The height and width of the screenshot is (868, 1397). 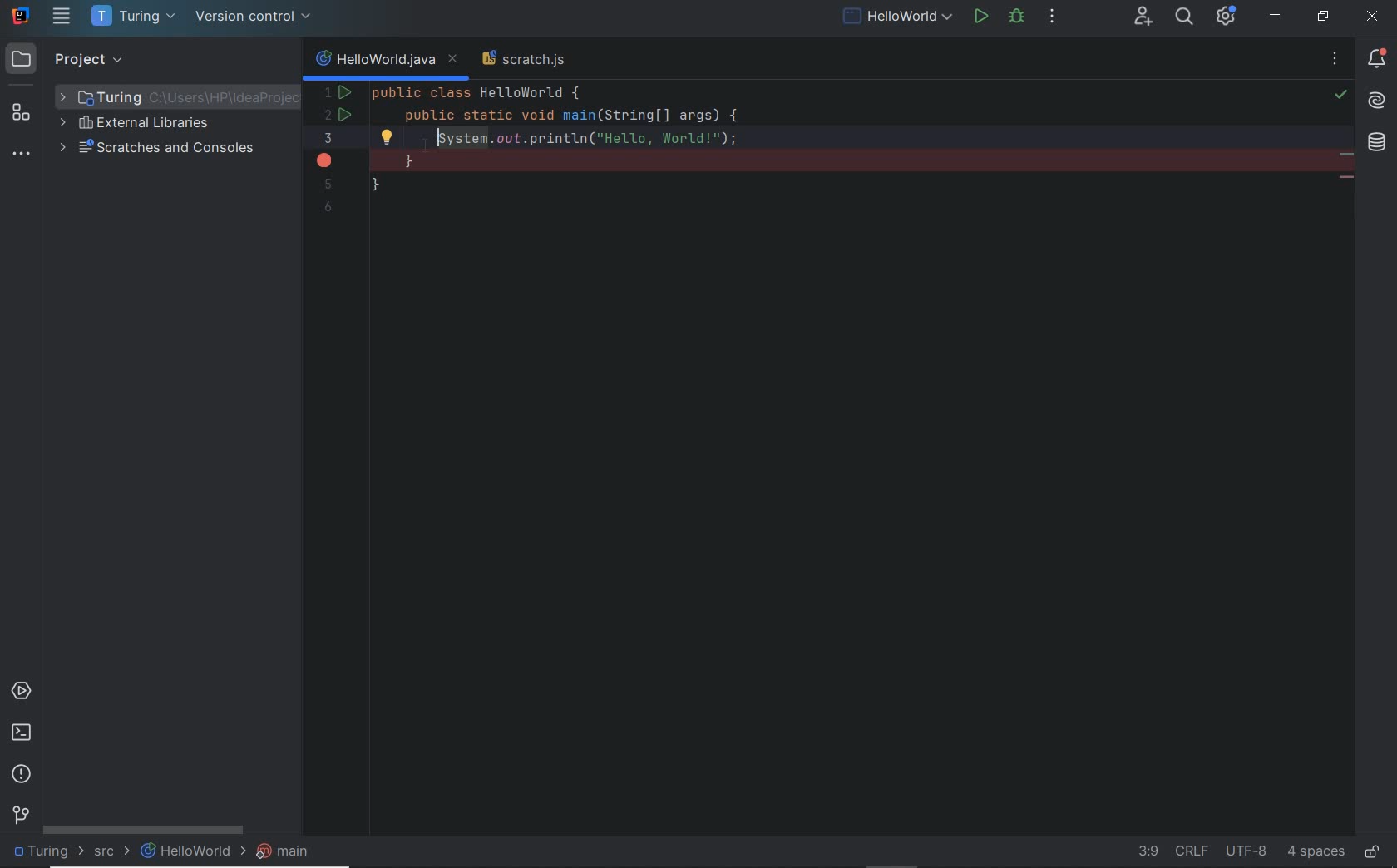 I want to click on IDE and Project Settings, so click(x=1228, y=15).